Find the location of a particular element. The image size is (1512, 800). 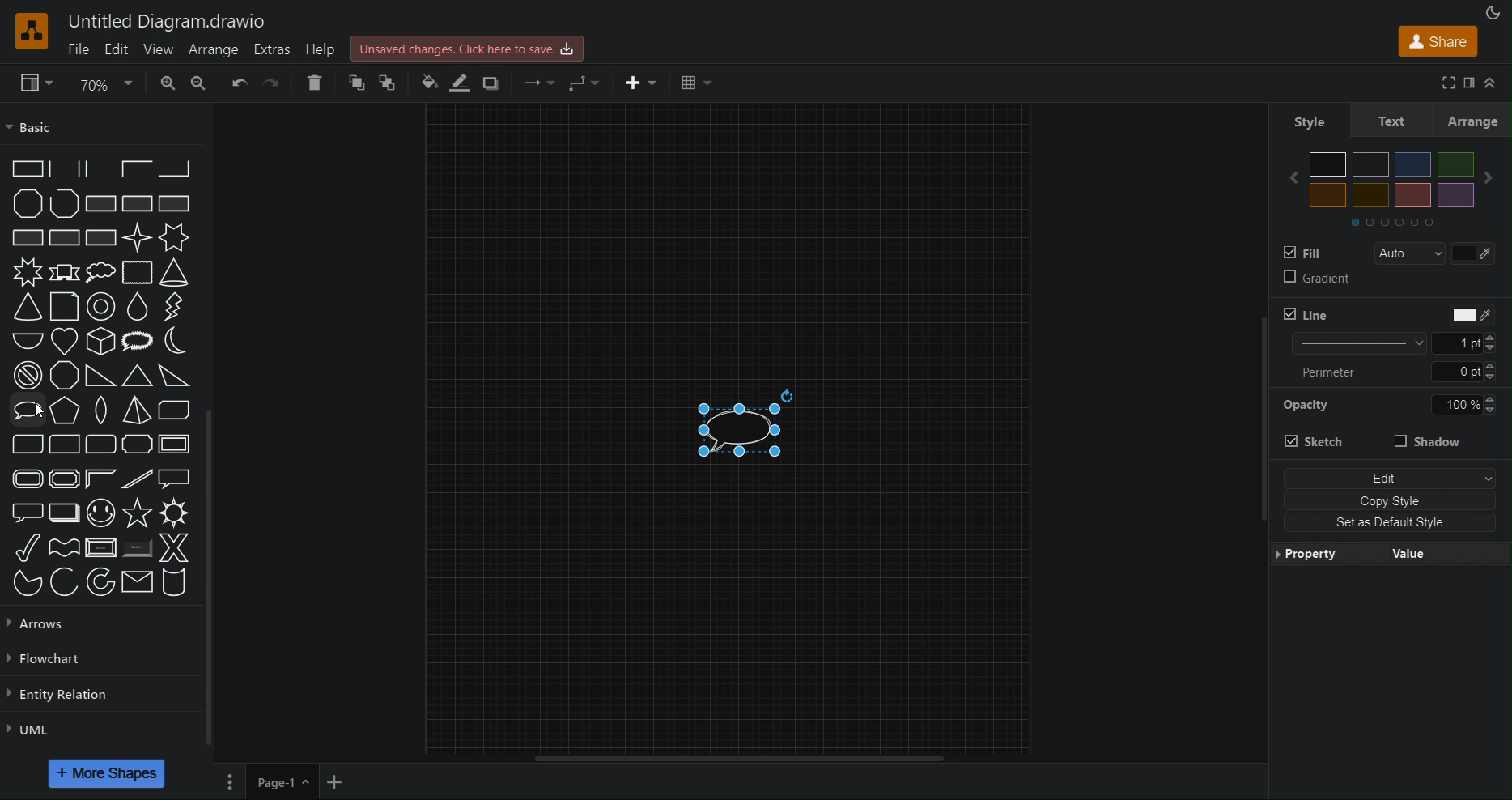

Perimeter Size is located at coordinates (1390, 372).